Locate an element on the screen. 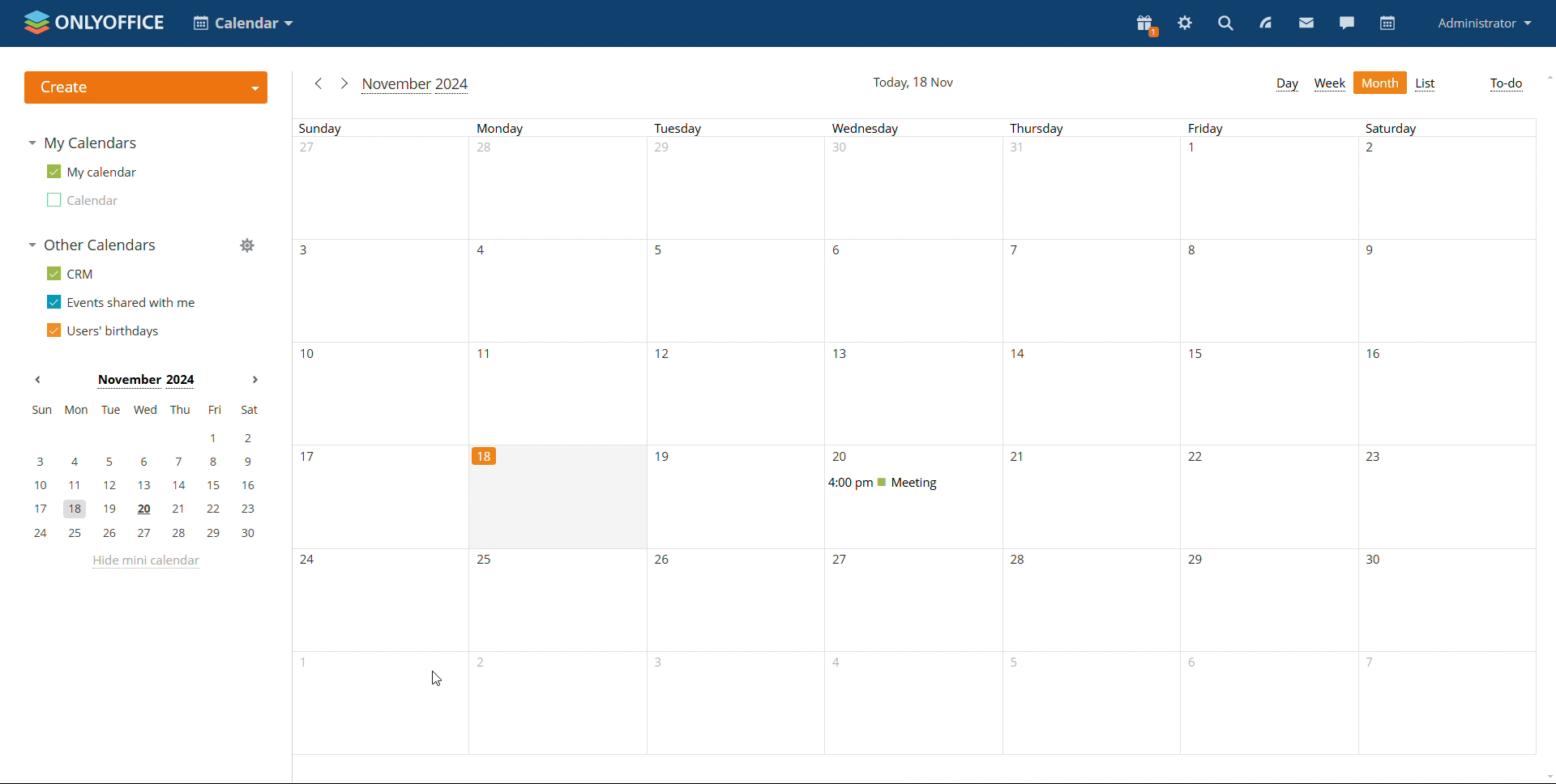  select application is located at coordinates (242, 23).